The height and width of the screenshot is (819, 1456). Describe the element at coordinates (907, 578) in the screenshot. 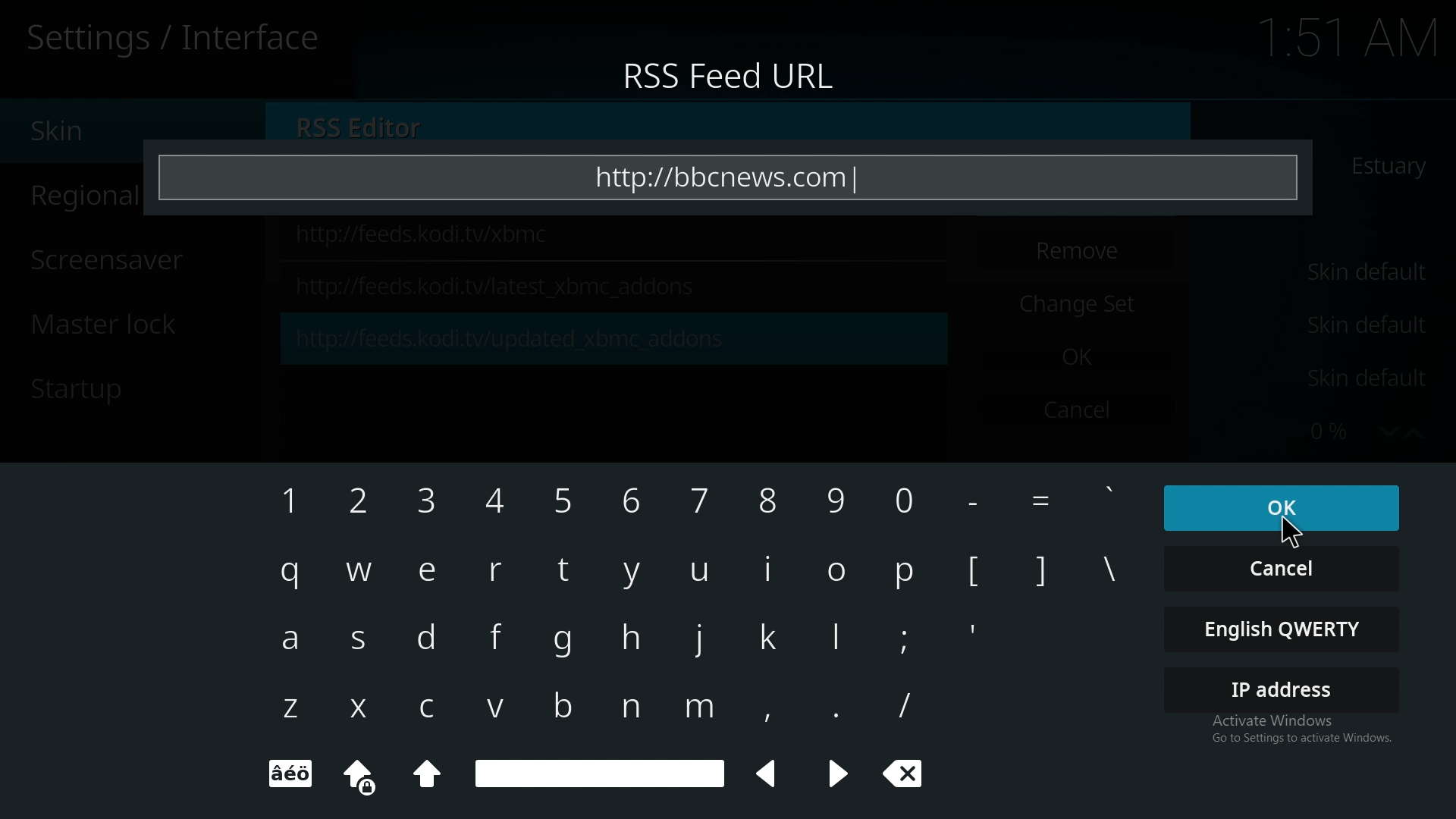

I see `keyboard Input` at that location.